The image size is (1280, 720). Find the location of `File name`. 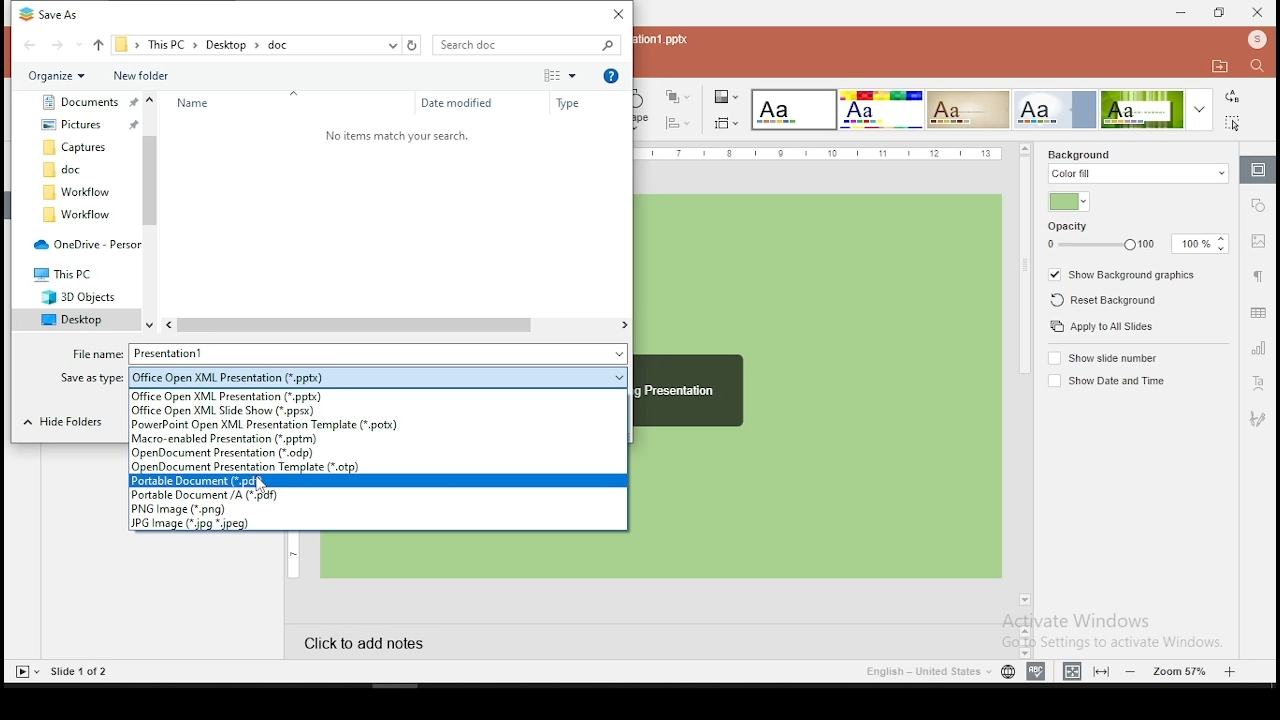

File name is located at coordinates (95, 352).